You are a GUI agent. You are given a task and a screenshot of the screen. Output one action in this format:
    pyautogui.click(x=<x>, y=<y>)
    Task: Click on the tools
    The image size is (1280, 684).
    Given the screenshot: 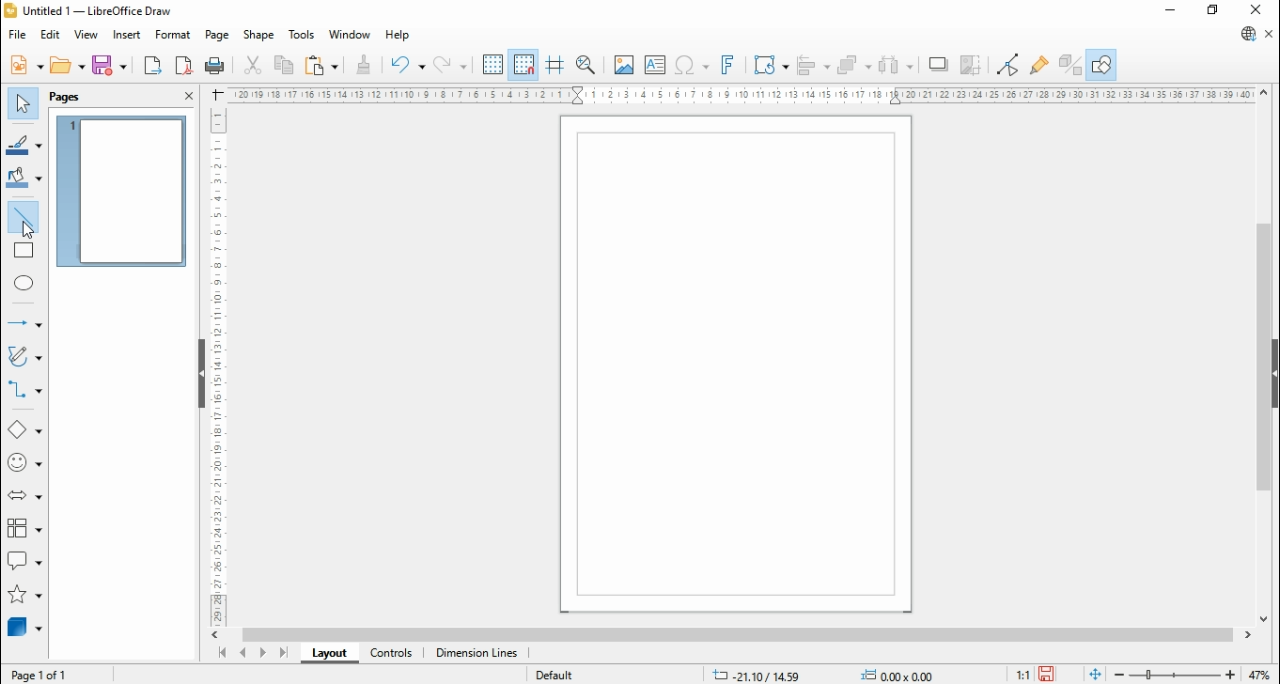 What is the action you would take?
    pyautogui.click(x=303, y=35)
    